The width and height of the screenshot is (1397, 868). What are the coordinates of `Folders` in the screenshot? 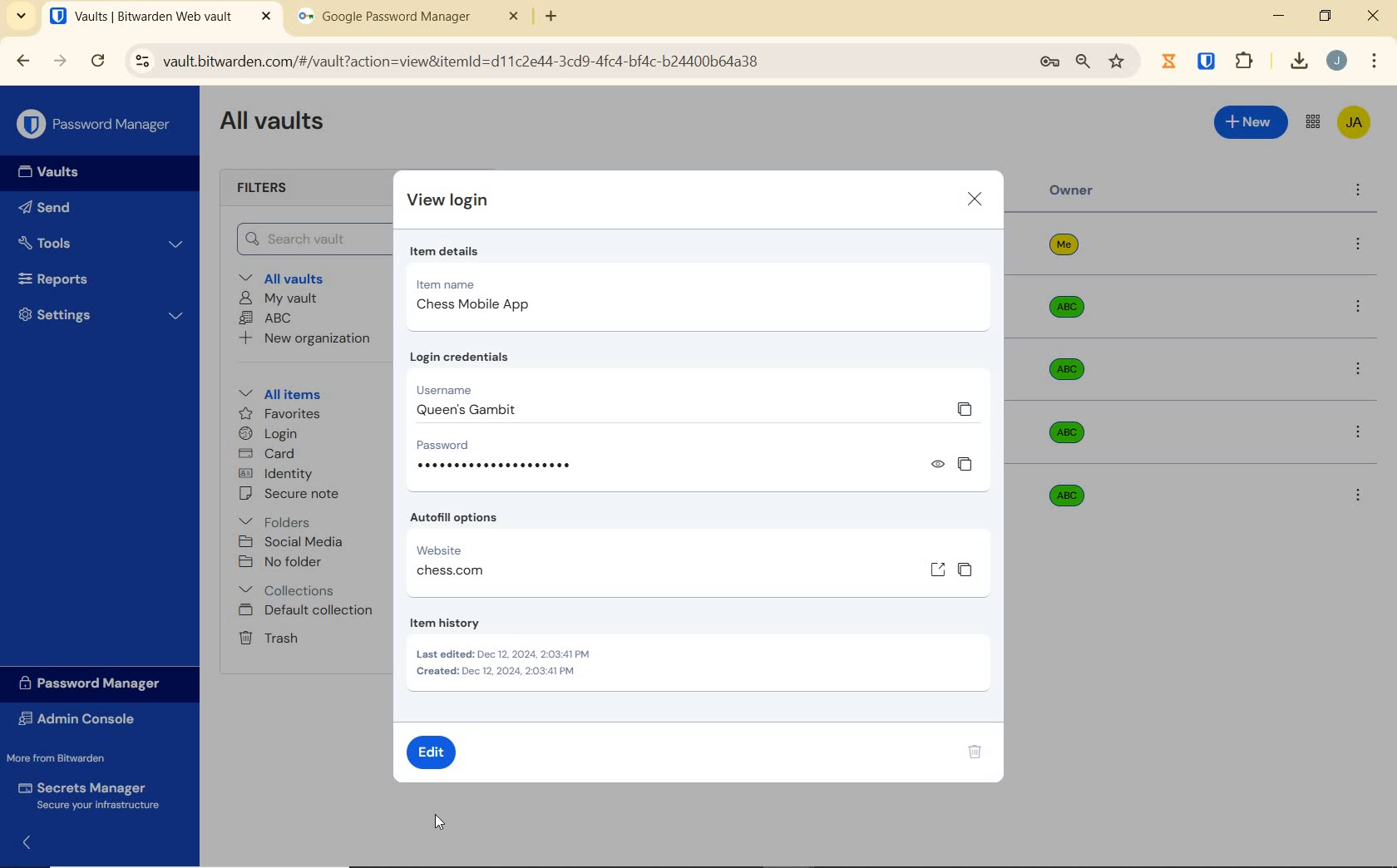 It's located at (278, 519).